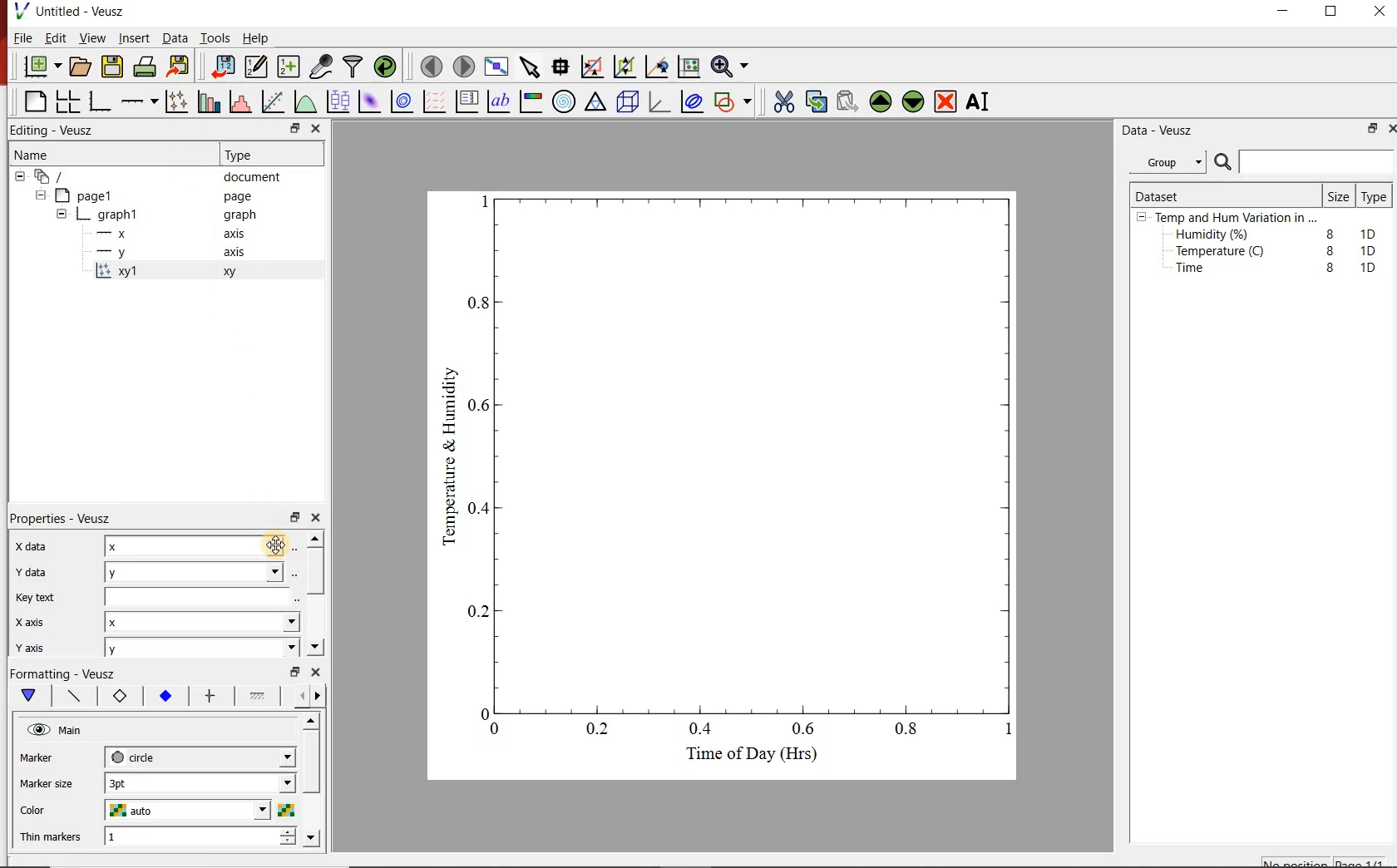 This screenshot has height=868, width=1397. I want to click on Plot points with lines and error bars, so click(176, 100).